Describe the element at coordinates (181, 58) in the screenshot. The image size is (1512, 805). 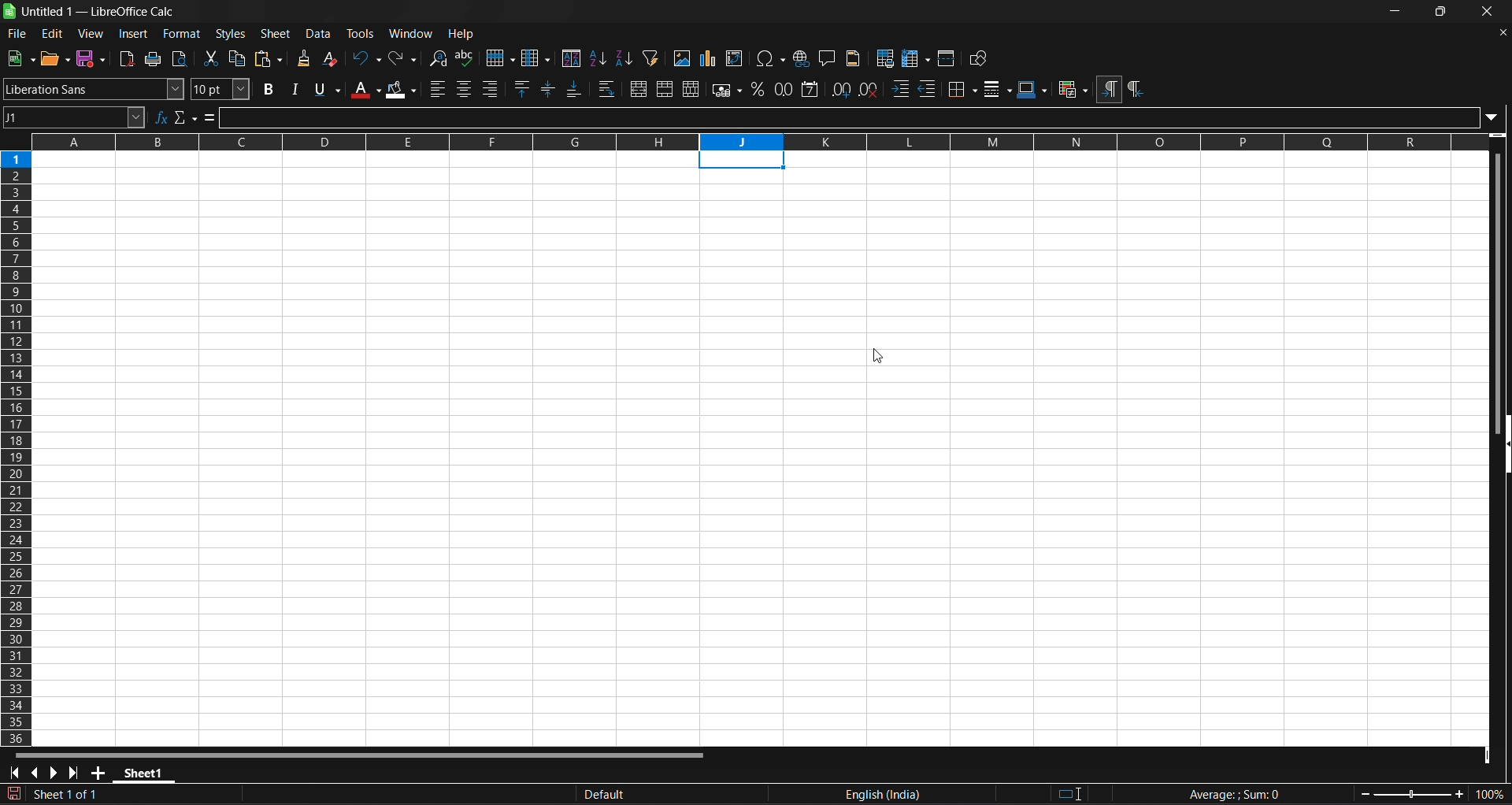
I see `toggle print preview` at that location.